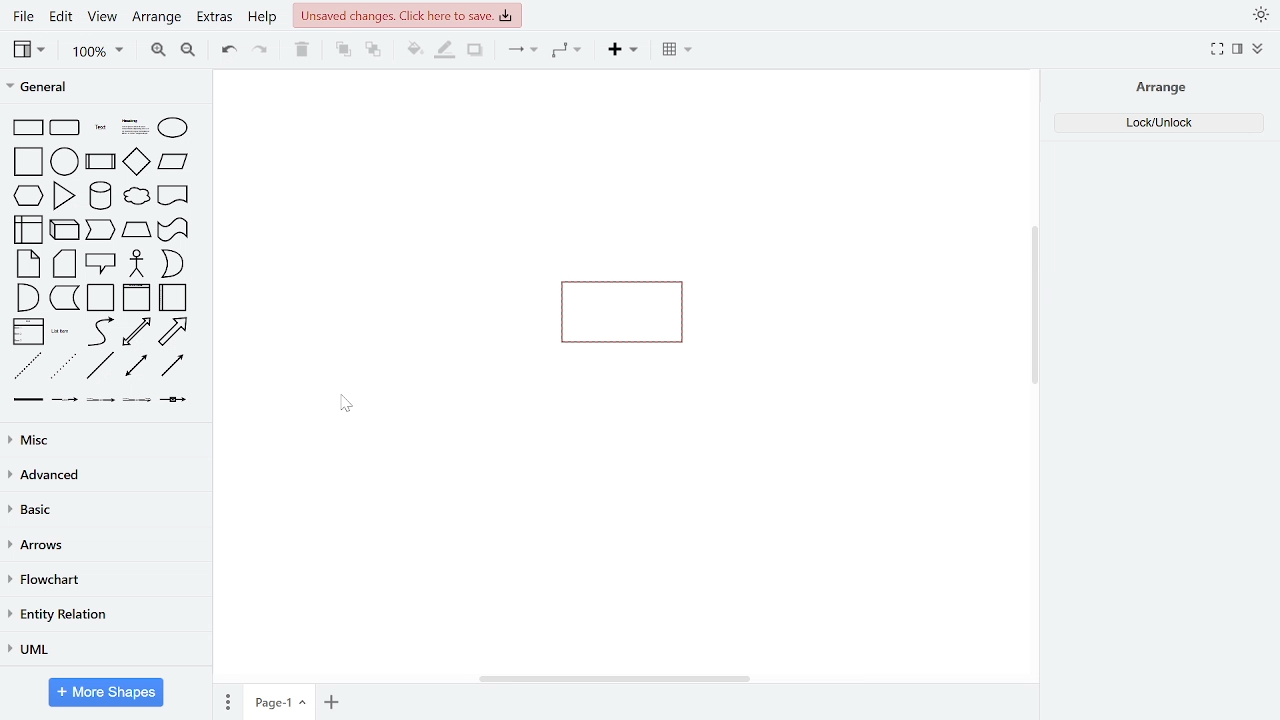  What do you see at coordinates (406, 15) in the screenshot?
I see `unsaved changes. click here to save` at bounding box center [406, 15].